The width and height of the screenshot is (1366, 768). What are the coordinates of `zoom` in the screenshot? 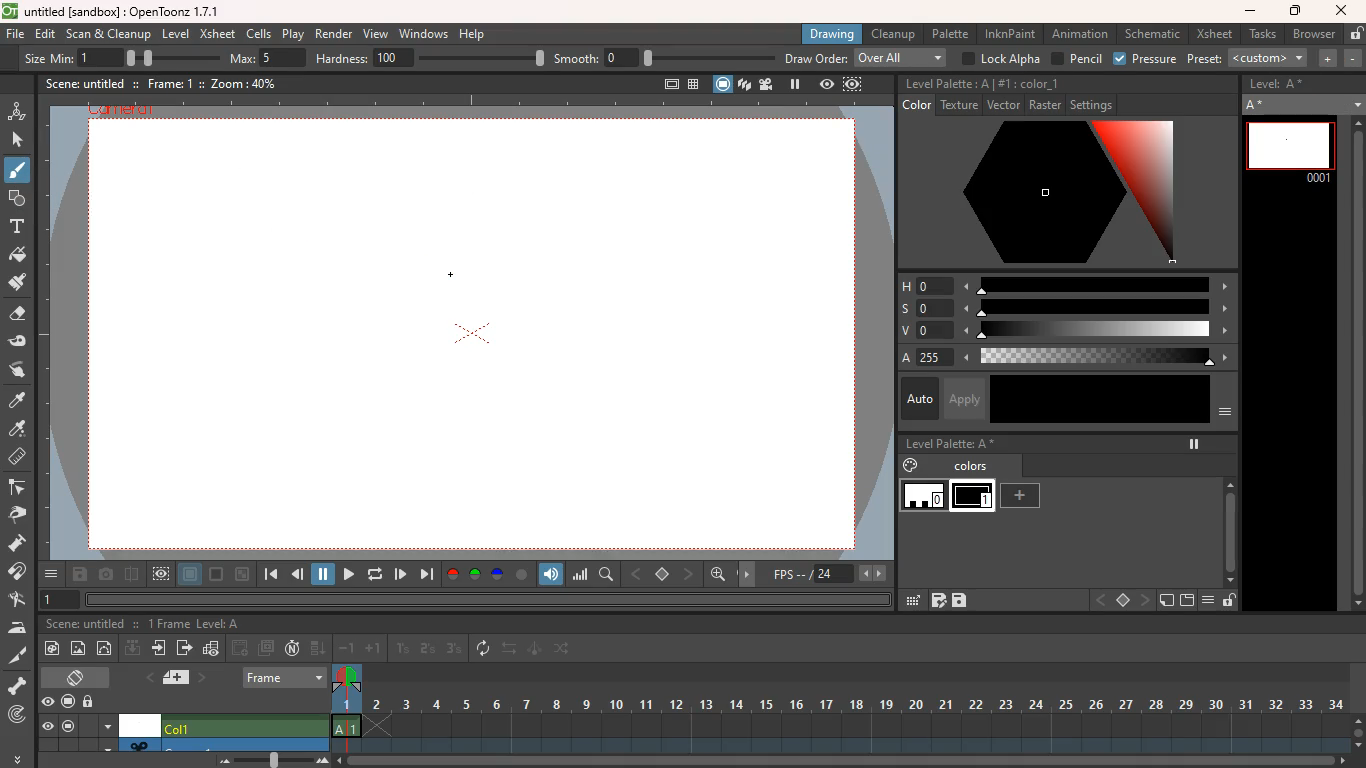 It's located at (267, 760).